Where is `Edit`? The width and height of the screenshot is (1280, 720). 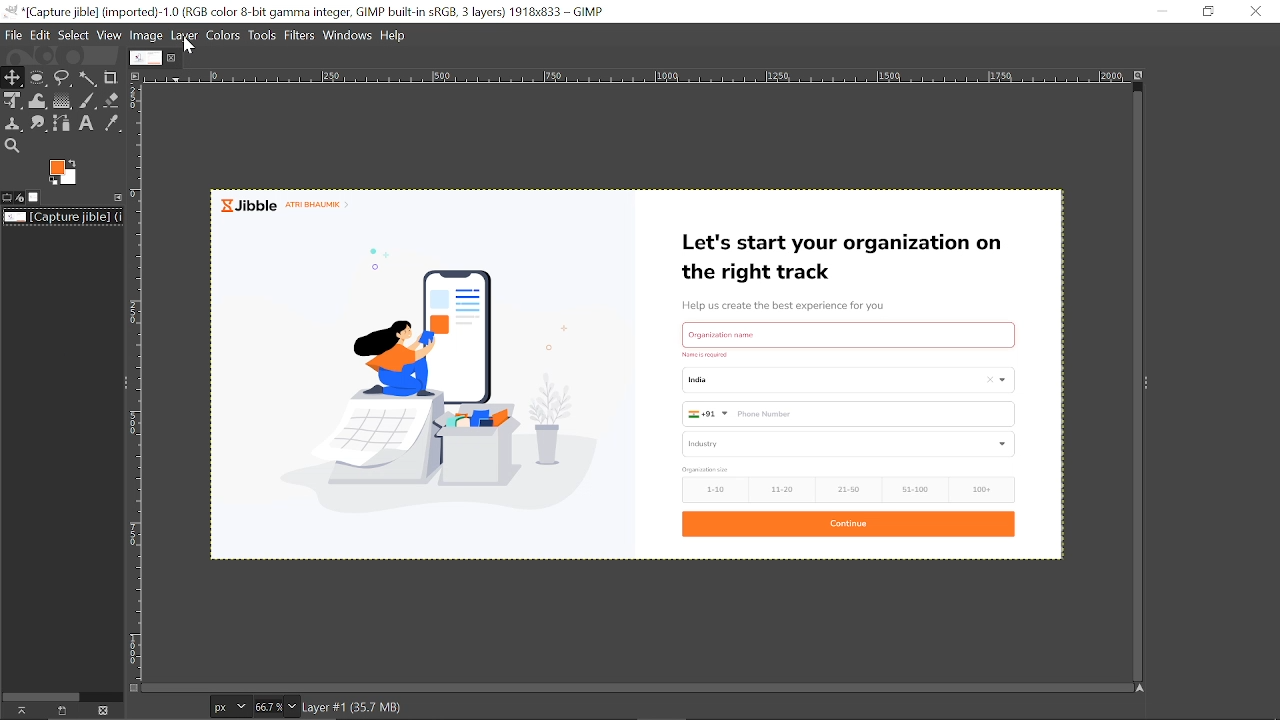
Edit is located at coordinates (41, 36).